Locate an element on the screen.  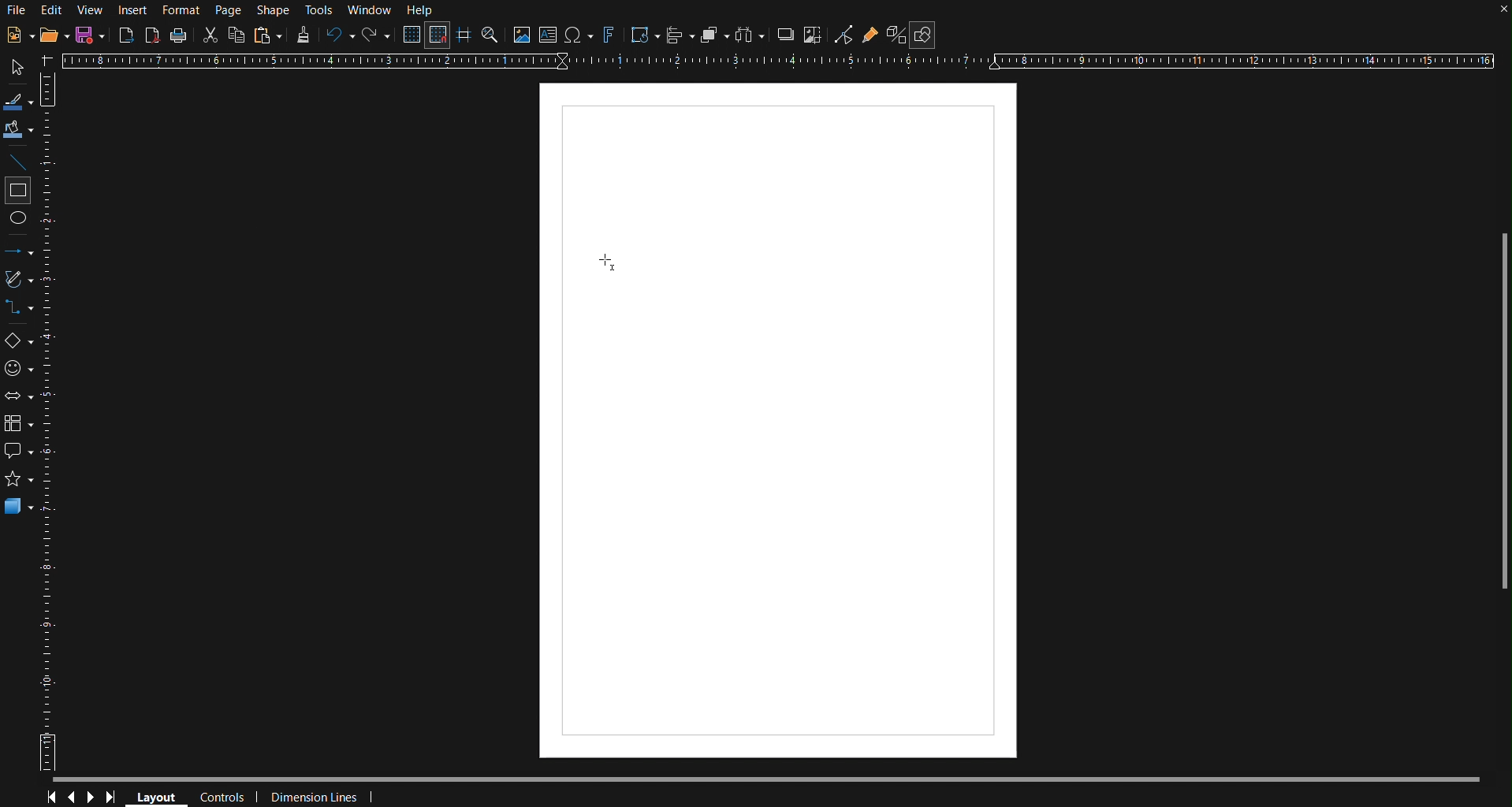
Guidelines while moving is located at coordinates (464, 34).